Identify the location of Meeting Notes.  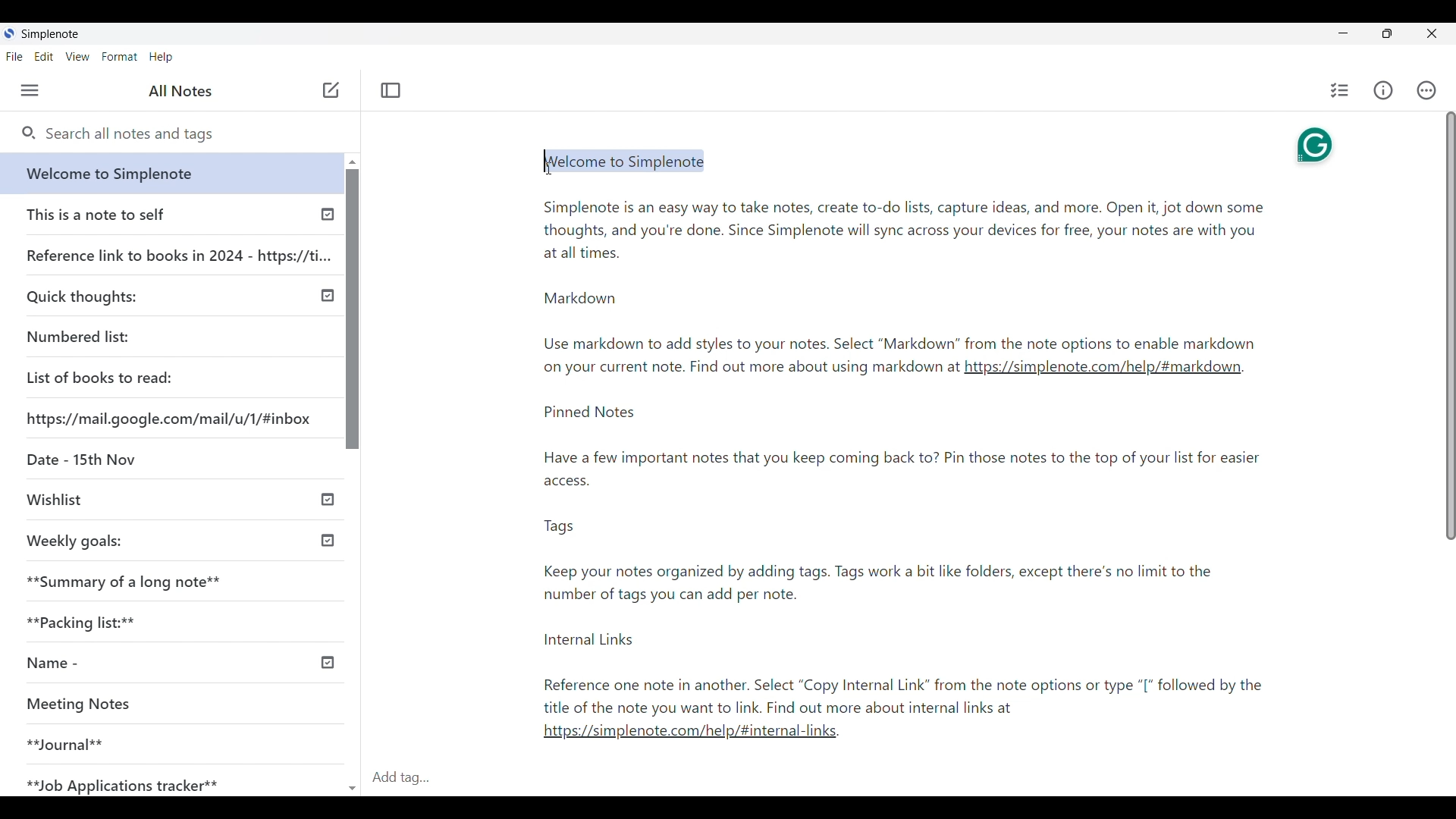
(86, 702).